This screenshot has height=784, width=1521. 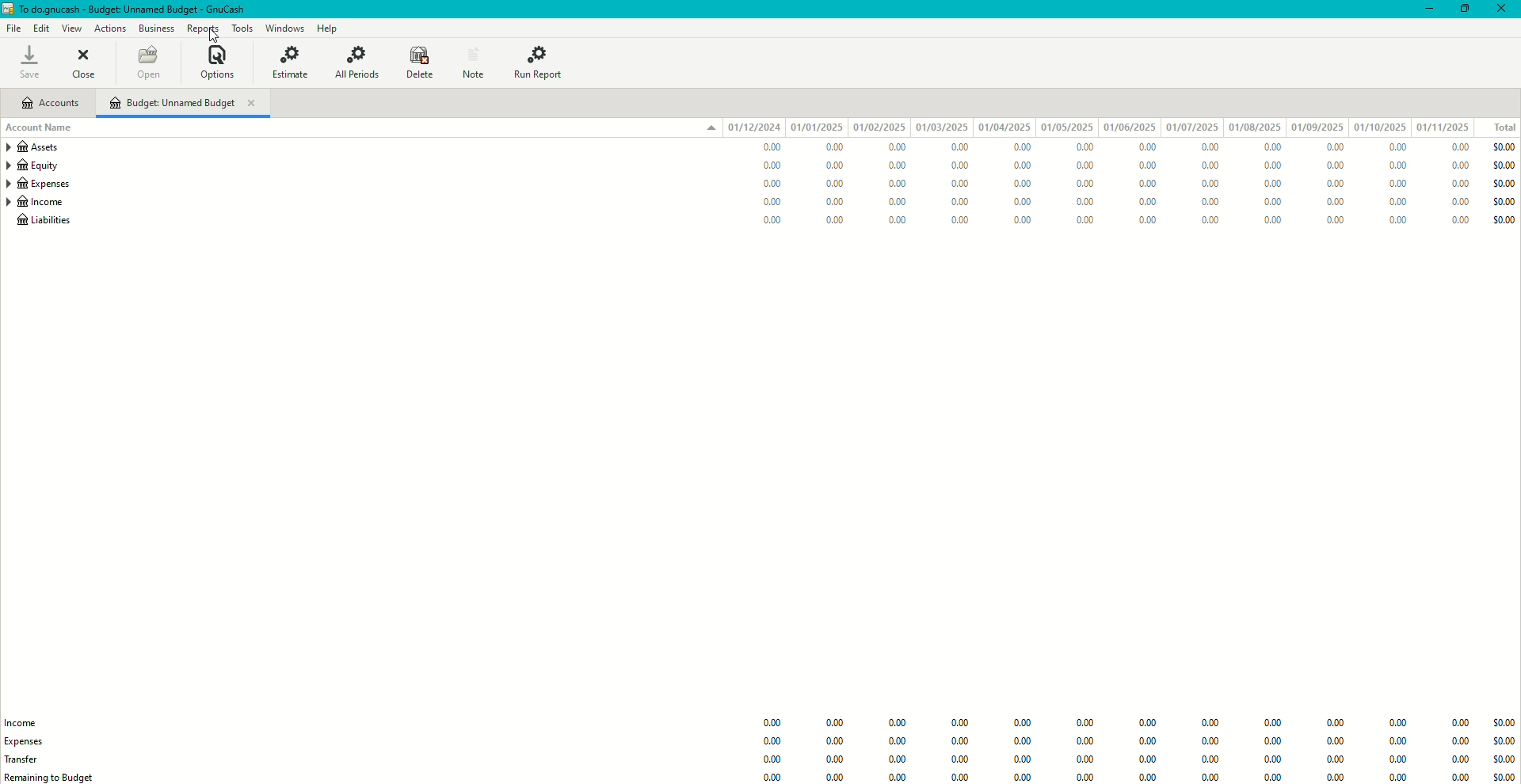 What do you see at coordinates (1398, 219) in the screenshot?
I see `0.00` at bounding box center [1398, 219].